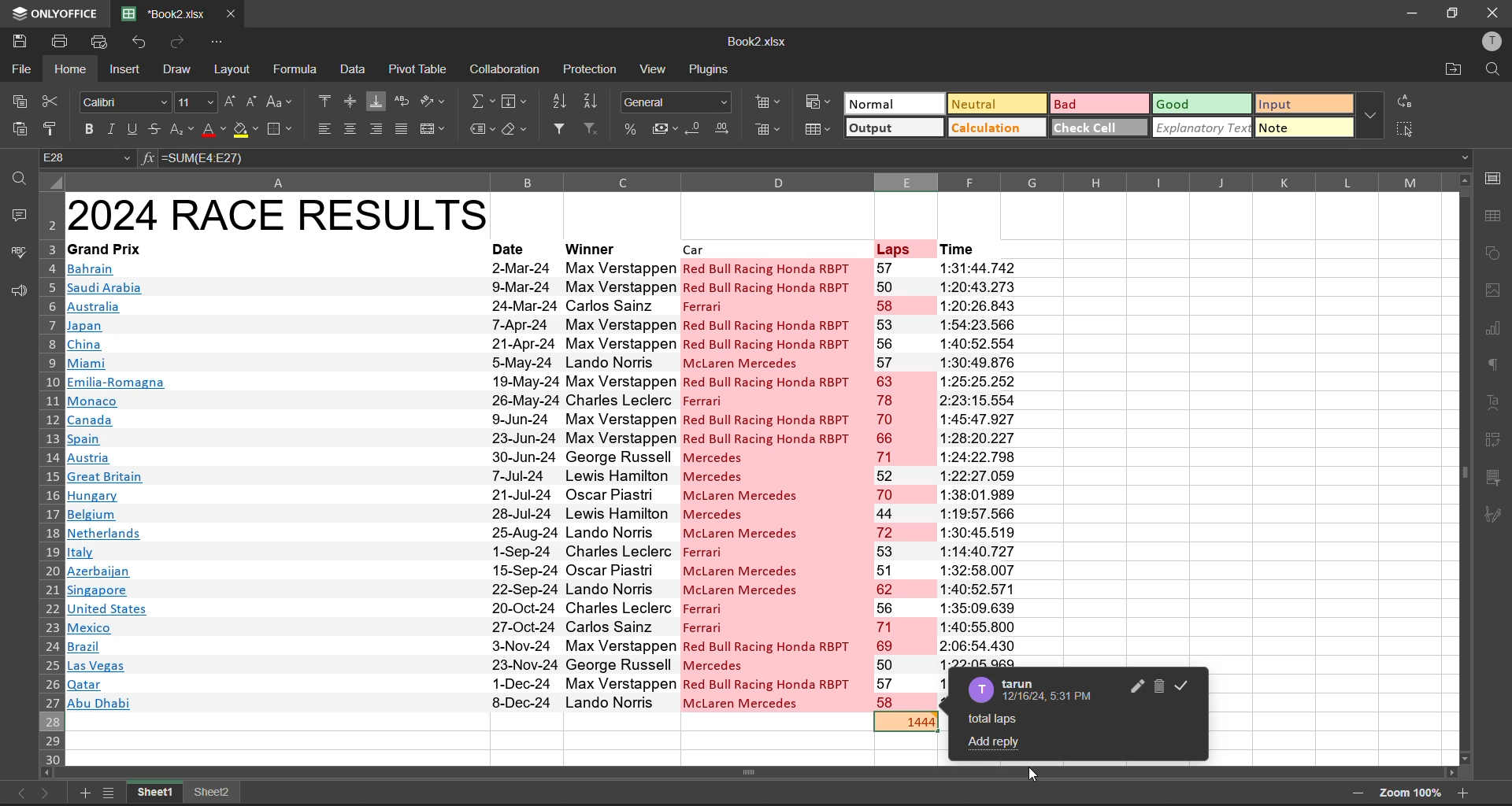 This screenshot has height=806, width=1512. Describe the element at coordinates (109, 793) in the screenshot. I see `sheet list` at that location.